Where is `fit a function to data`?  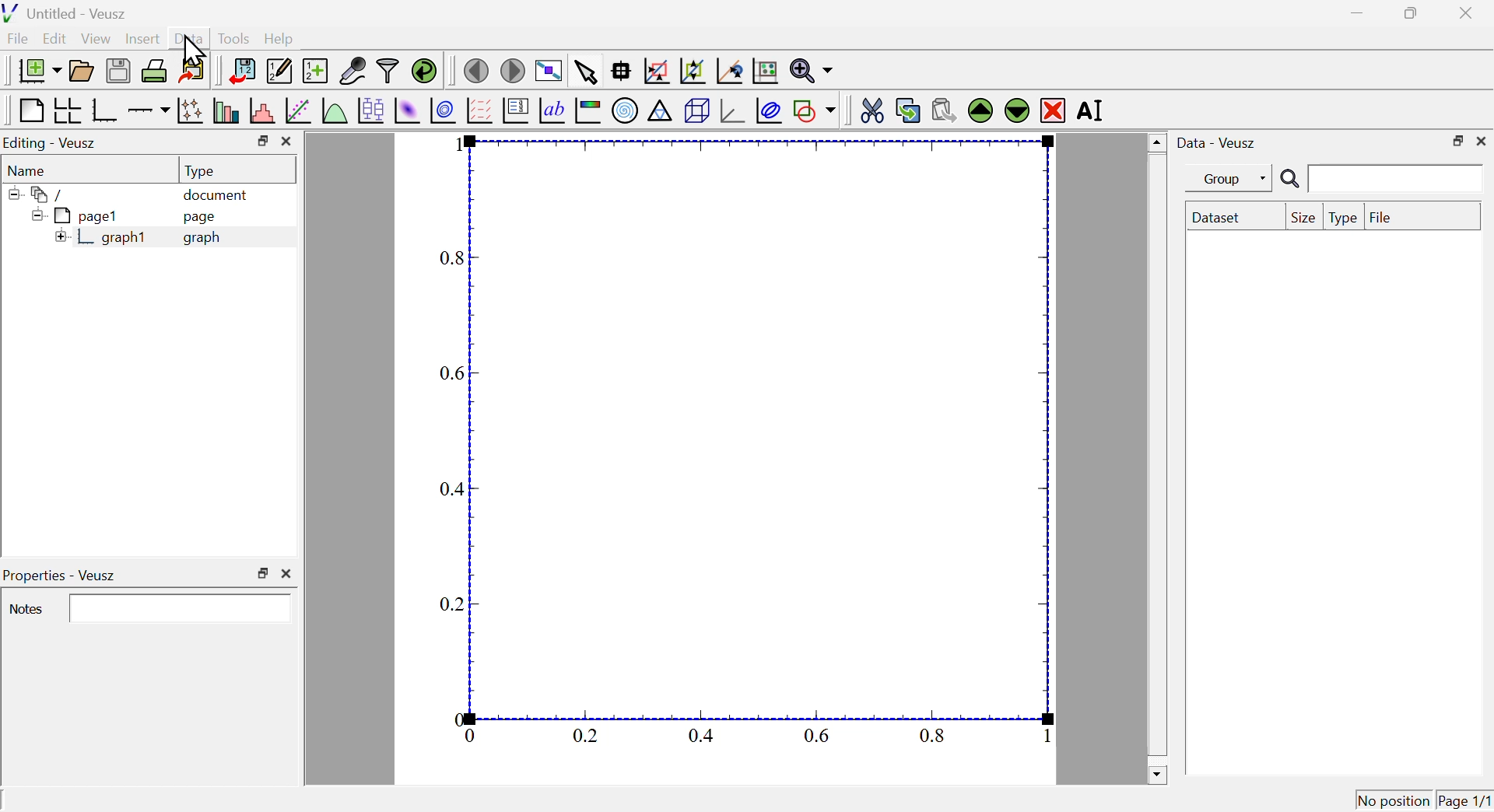
fit a function to data is located at coordinates (297, 111).